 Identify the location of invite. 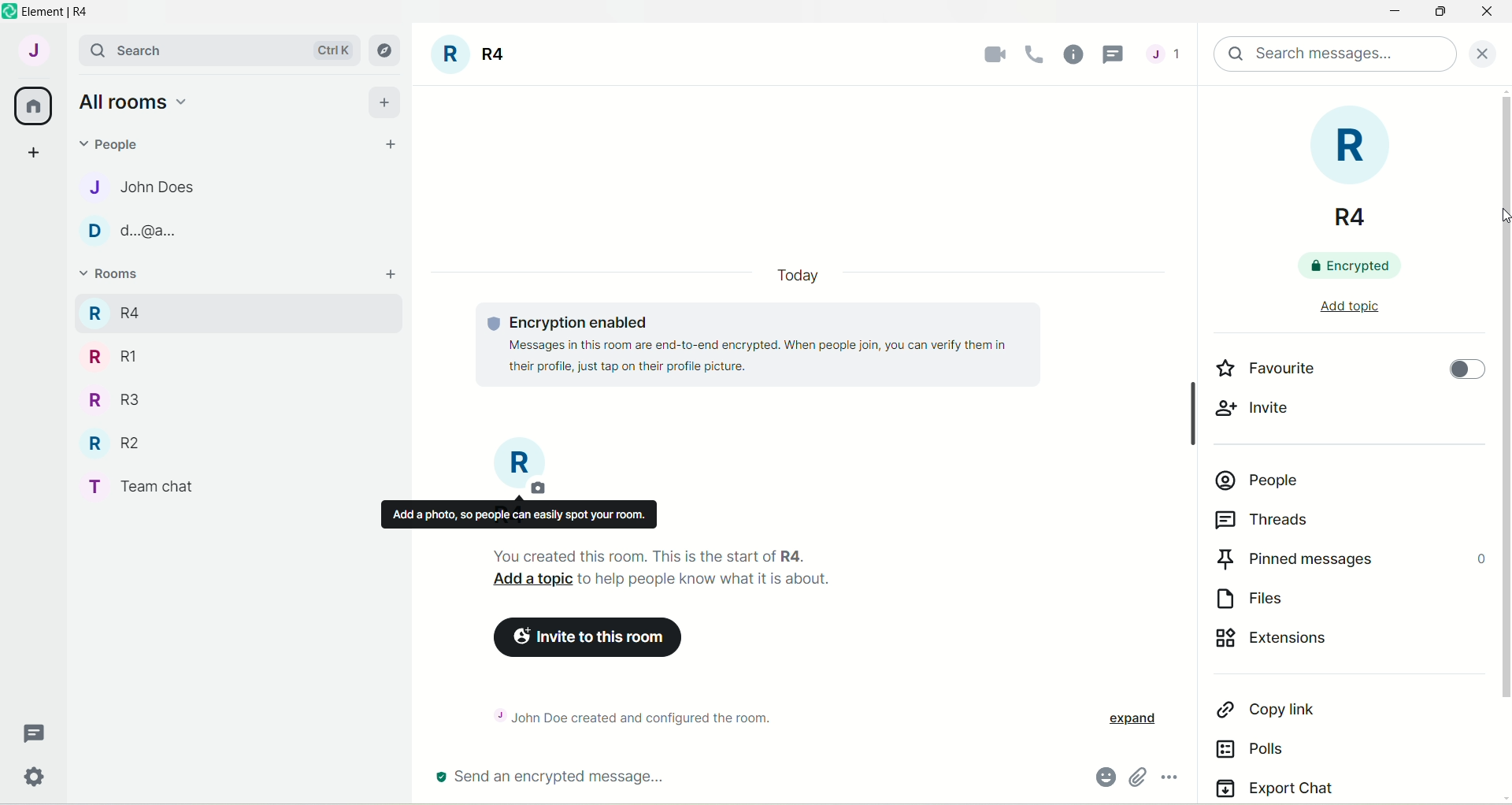
(1259, 409).